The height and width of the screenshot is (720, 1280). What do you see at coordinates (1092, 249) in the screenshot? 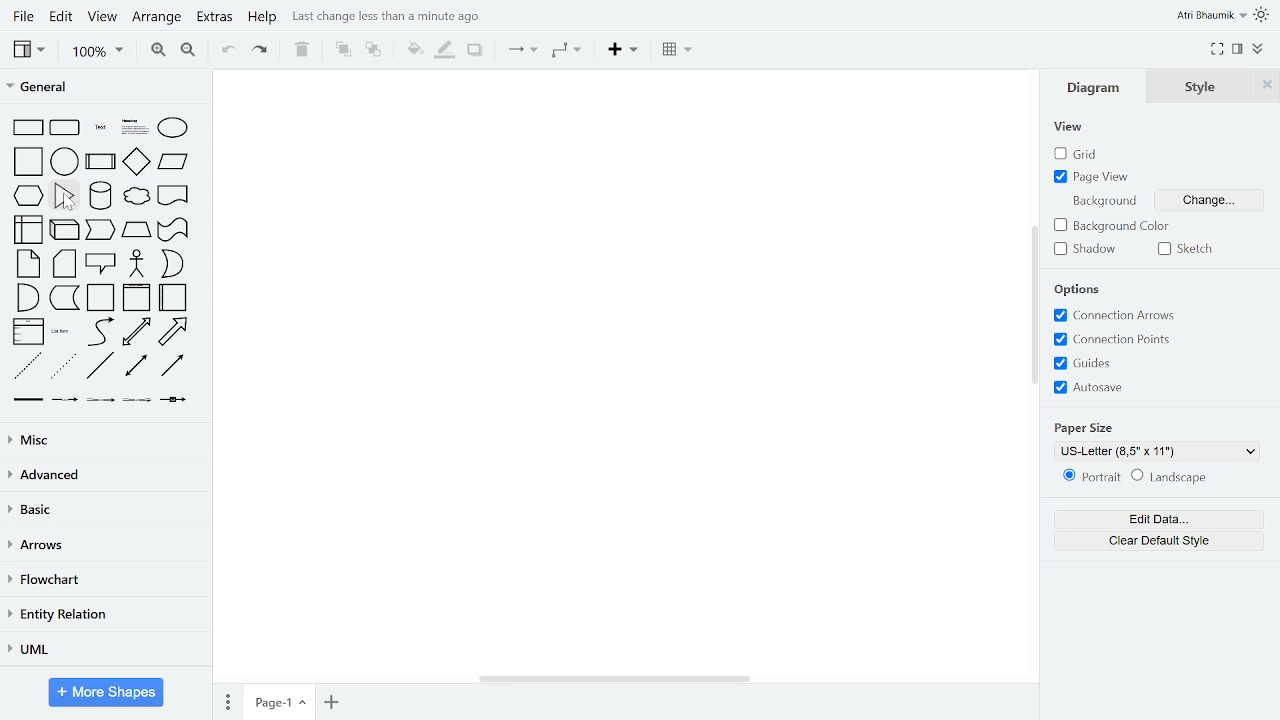
I see `shadow` at bounding box center [1092, 249].